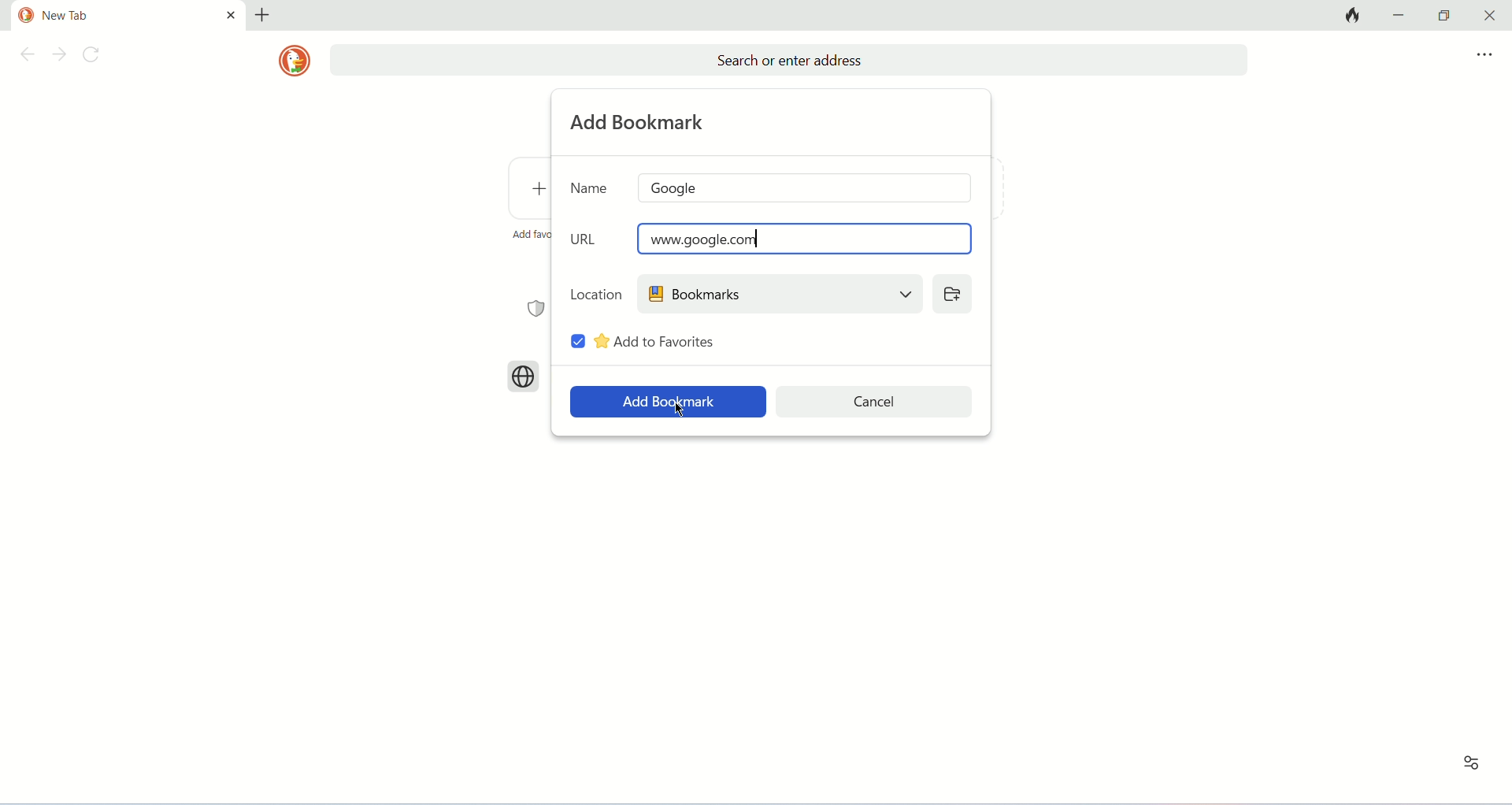 The width and height of the screenshot is (1512, 805). Describe the element at coordinates (1402, 14) in the screenshot. I see `minimize` at that location.